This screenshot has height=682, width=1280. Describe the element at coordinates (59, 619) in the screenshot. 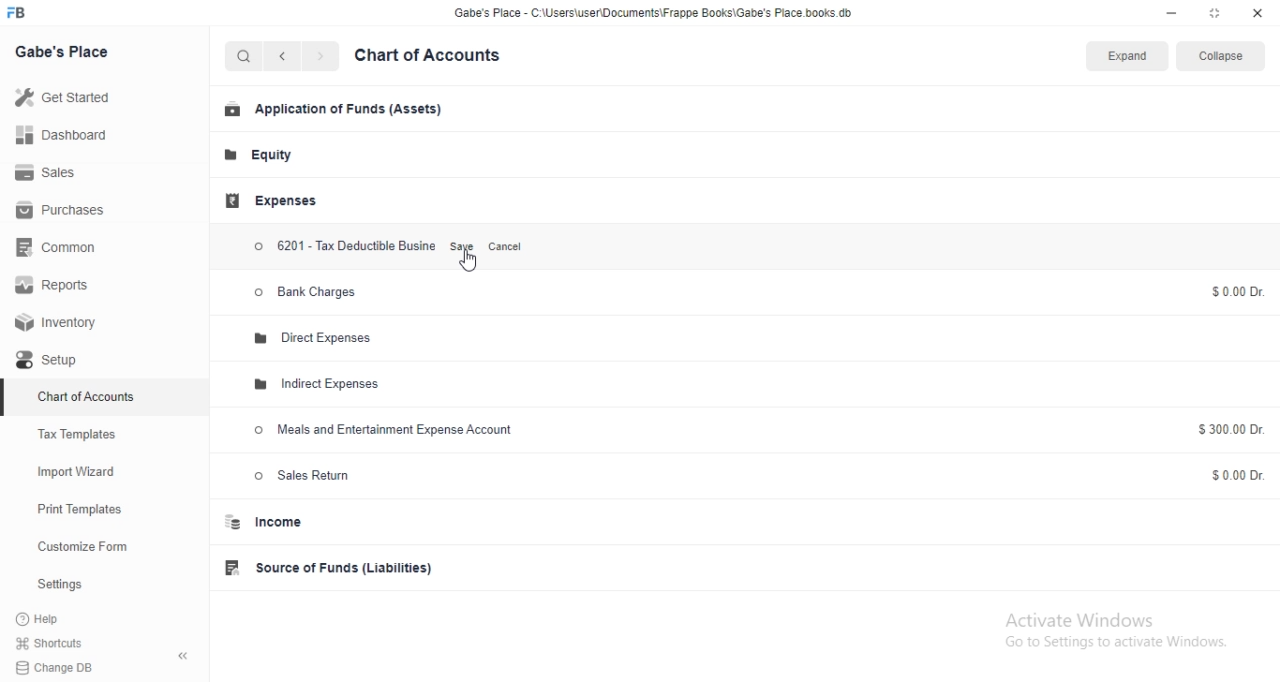

I see `?Help` at that location.